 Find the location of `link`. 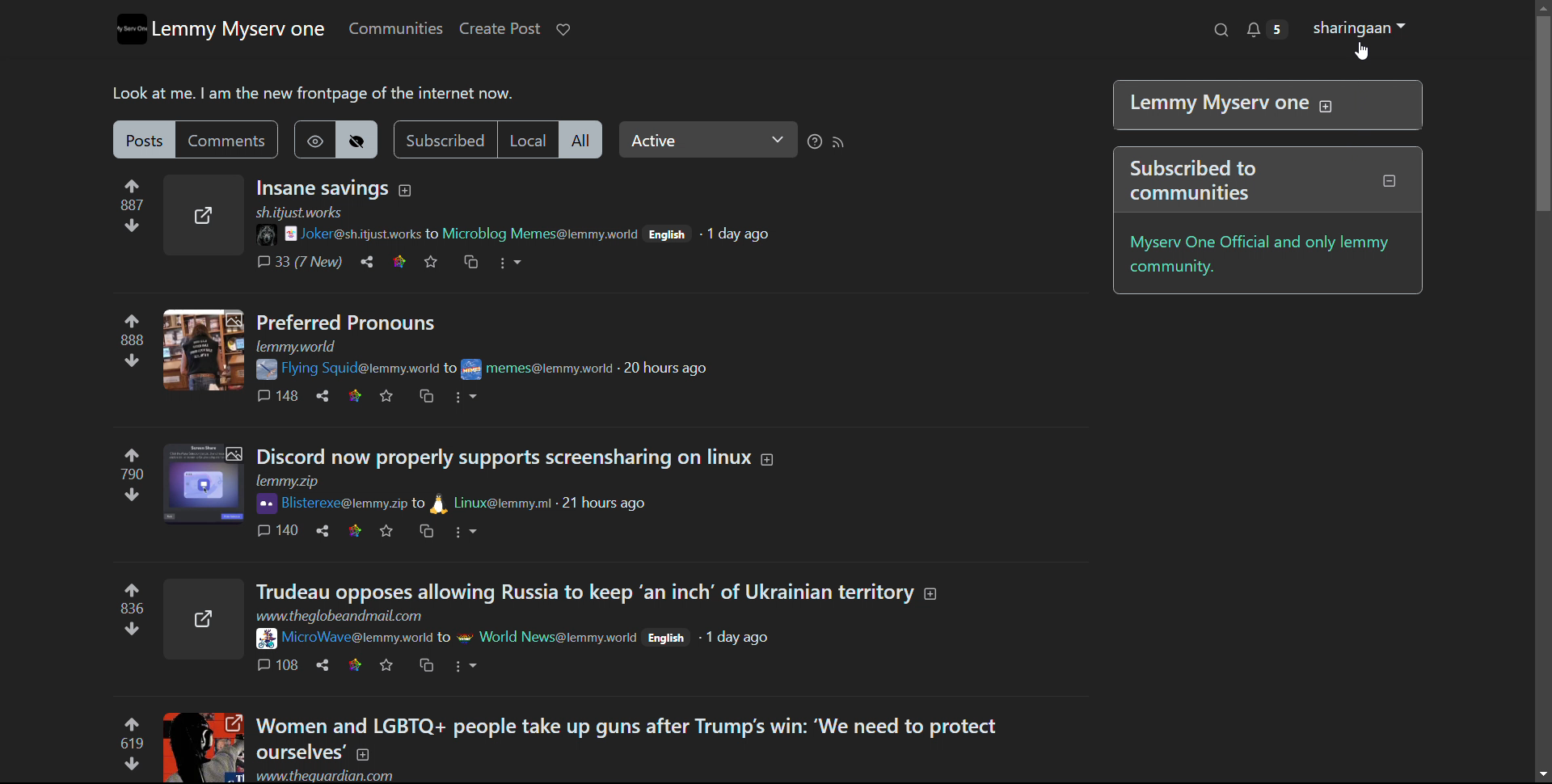

link is located at coordinates (354, 531).